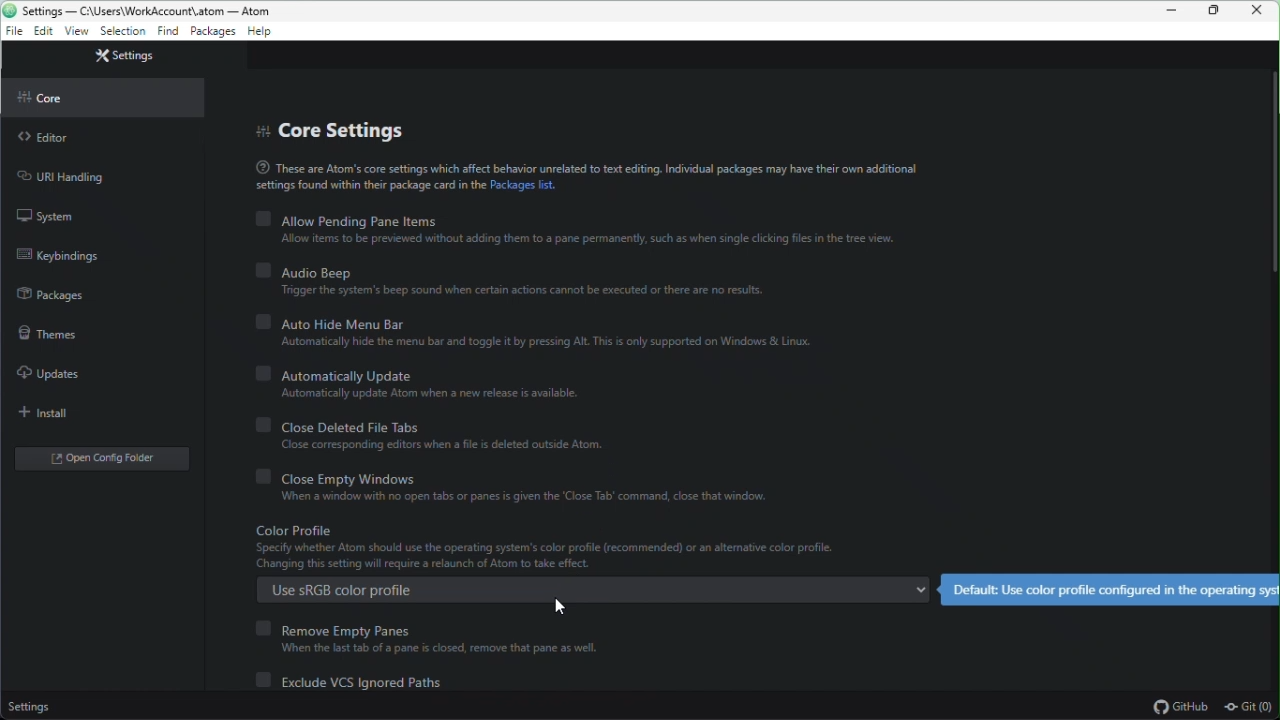  Describe the element at coordinates (428, 635) in the screenshot. I see `Remove empty panes` at that location.